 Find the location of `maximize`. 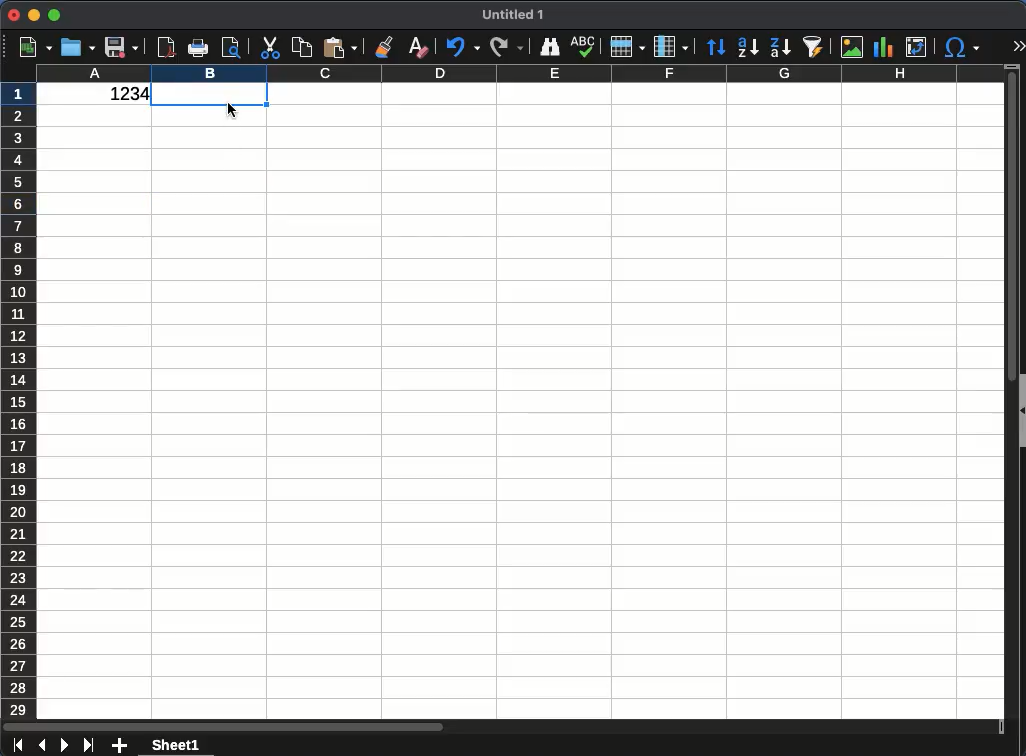

maximize is located at coordinates (54, 16).